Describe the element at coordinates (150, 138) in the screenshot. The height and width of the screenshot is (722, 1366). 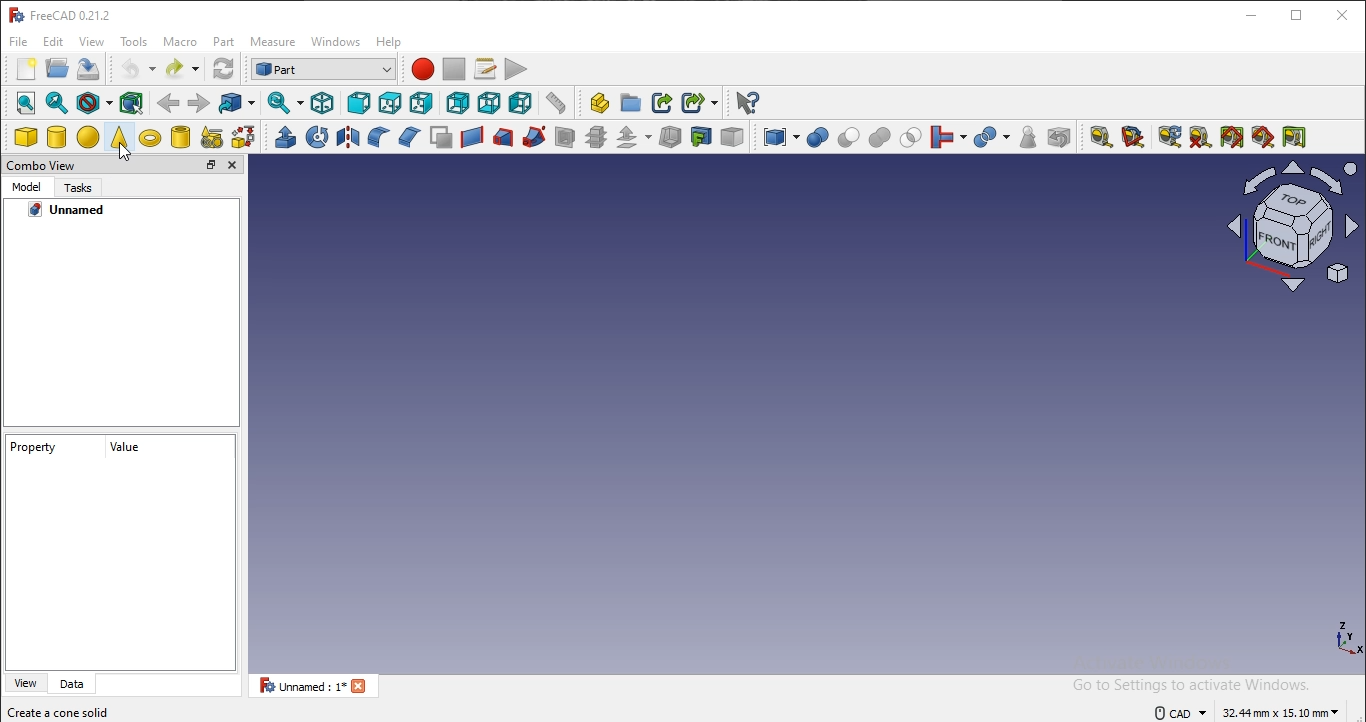
I see `torus` at that location.